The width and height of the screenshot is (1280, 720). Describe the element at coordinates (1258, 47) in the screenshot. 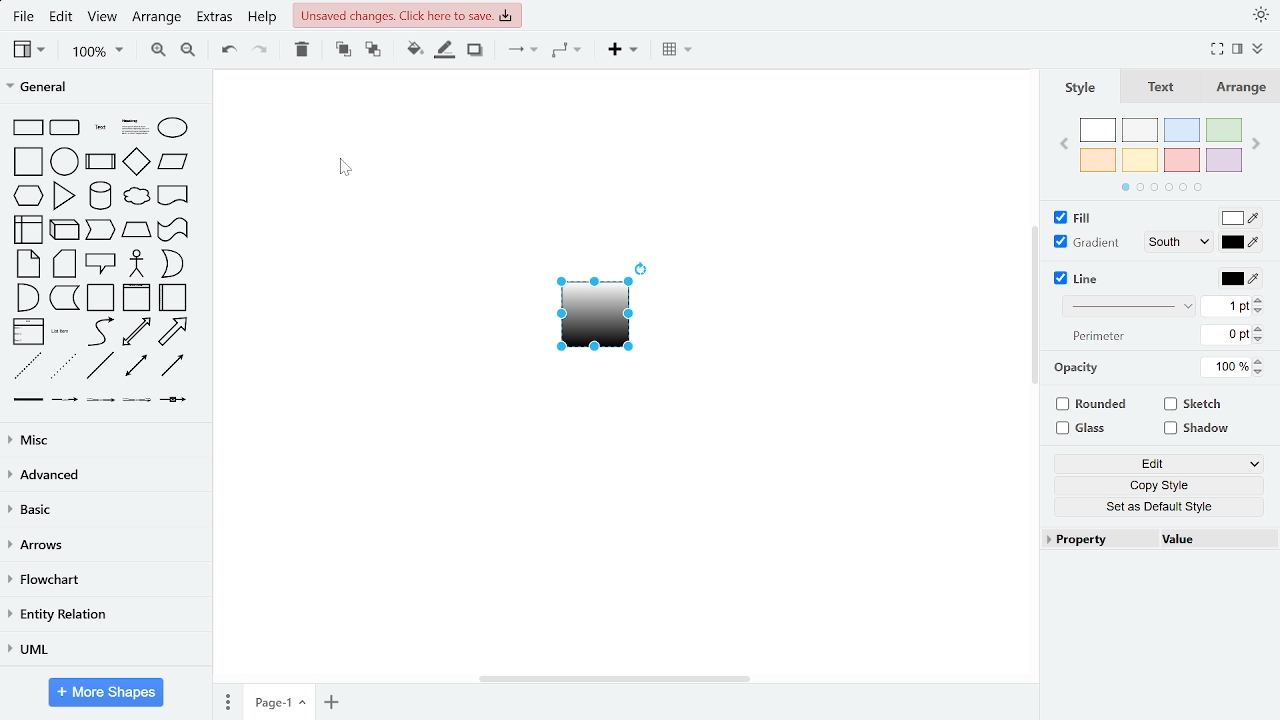

I see `collapse` at that location.